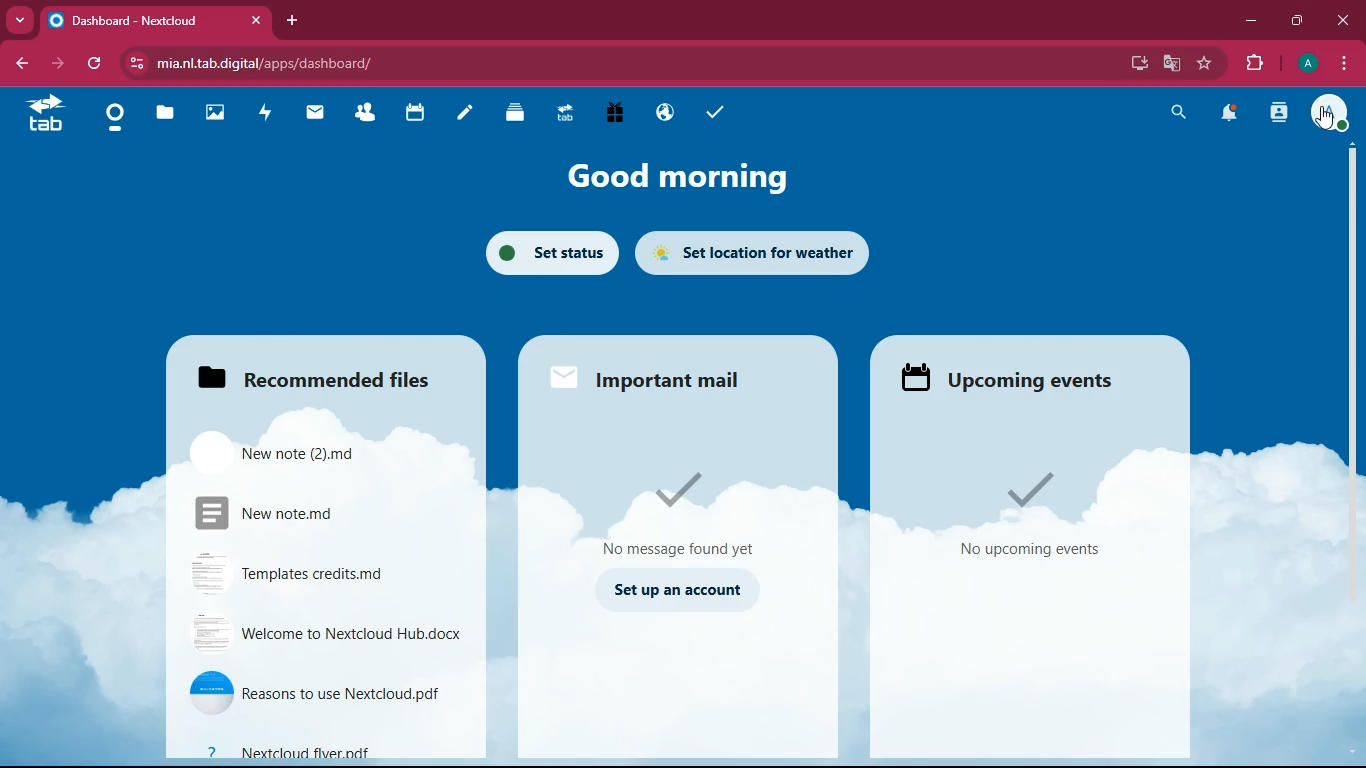 The height and width of the screenshot is (768, 1366). Describe the element at coordinates (1331, 116) in the screenshot. I see `profile` at that location.